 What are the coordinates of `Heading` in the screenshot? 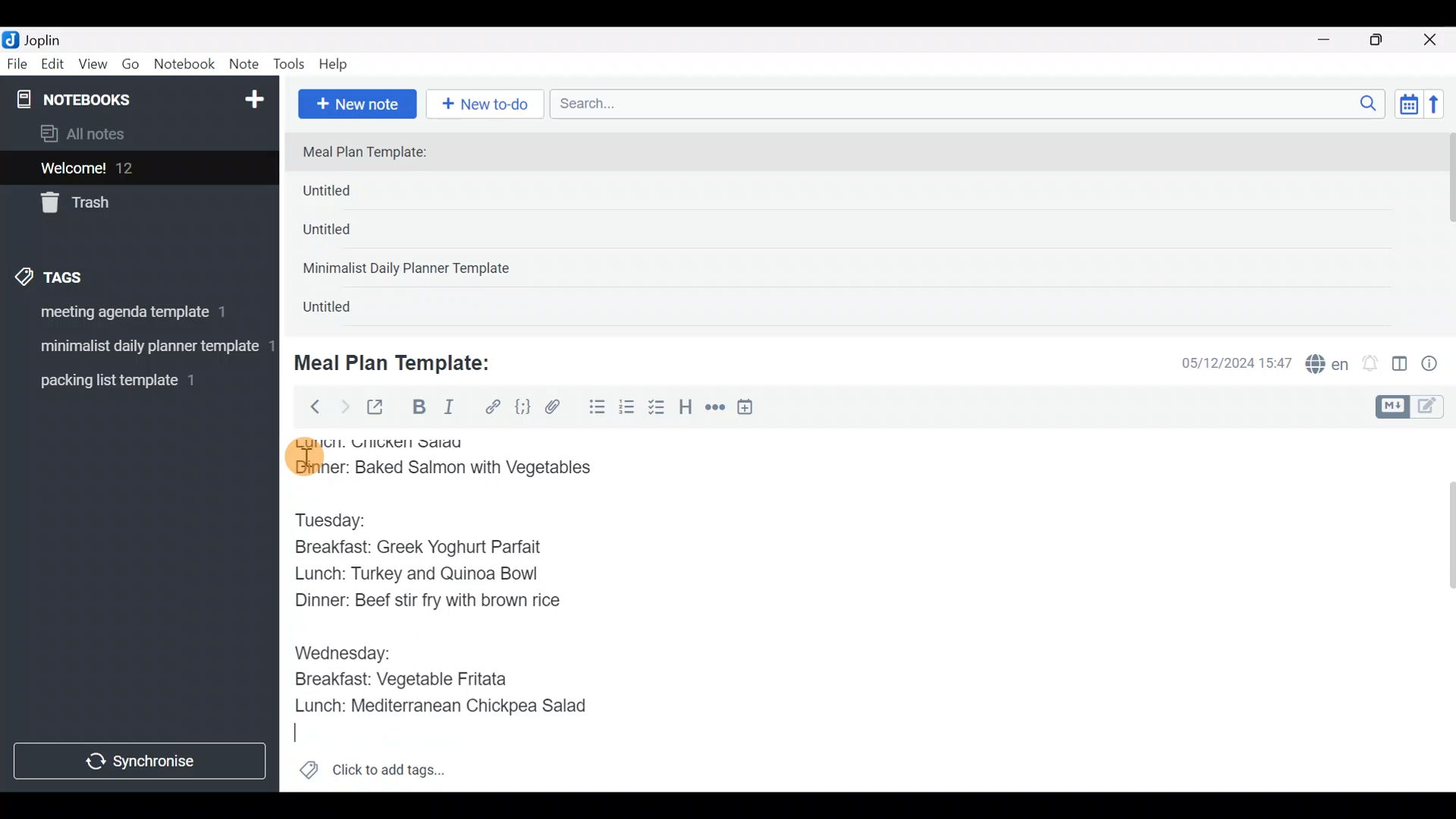 It's located at (686, 409).